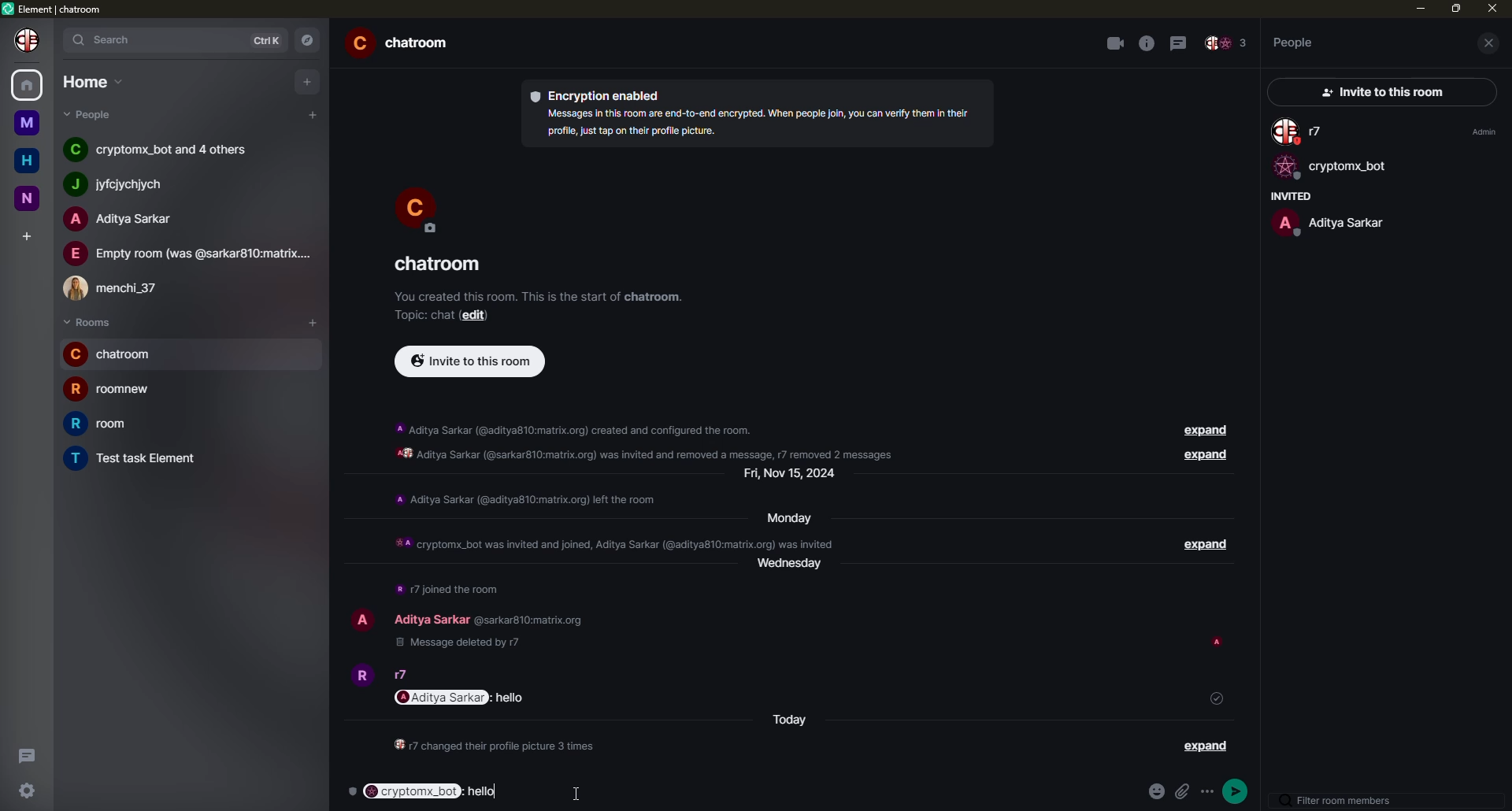  I want to click on day, so click(795, 570).